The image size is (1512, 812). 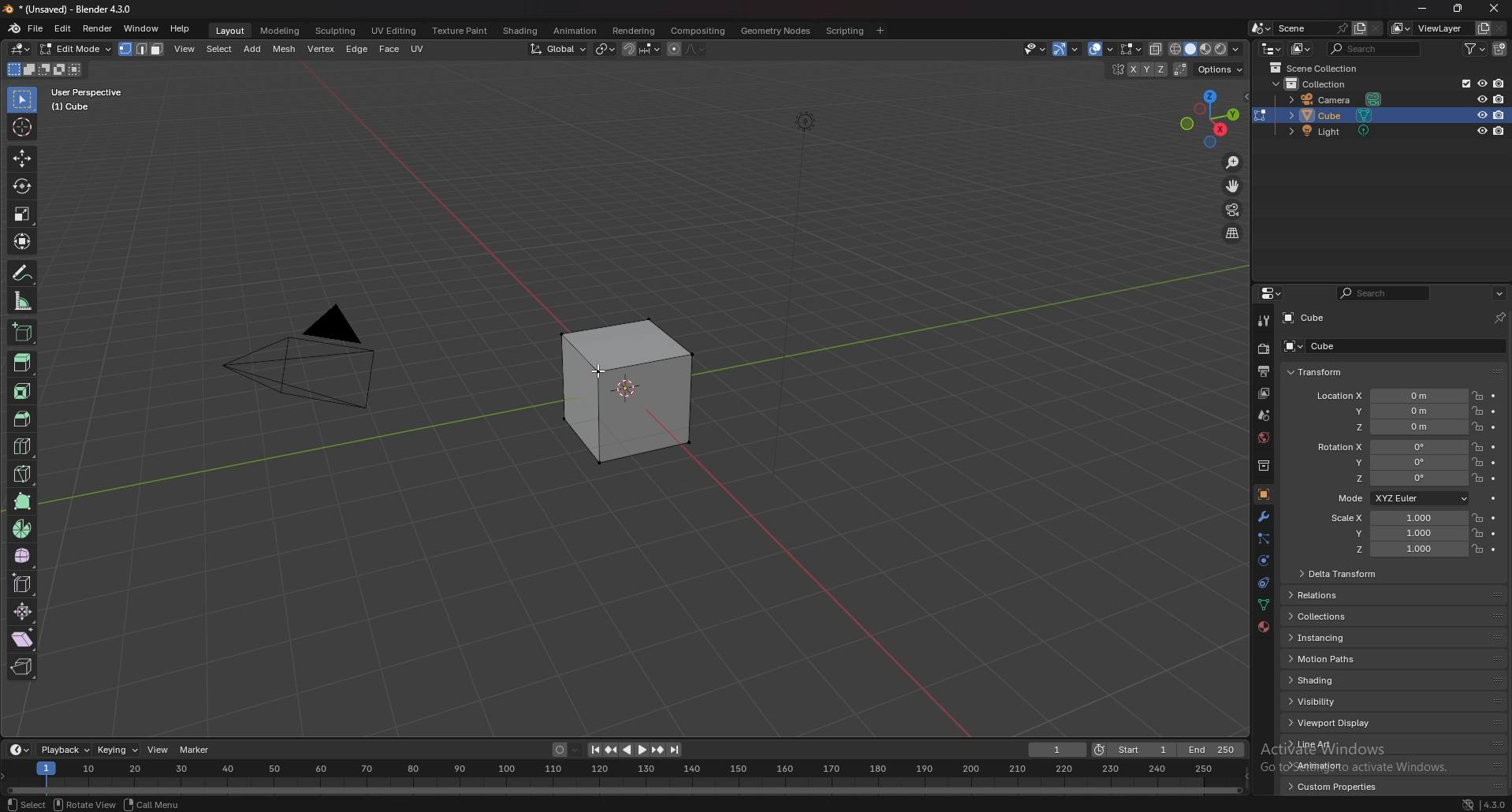 I want to click on animate property, so click(x=1494, y=498).